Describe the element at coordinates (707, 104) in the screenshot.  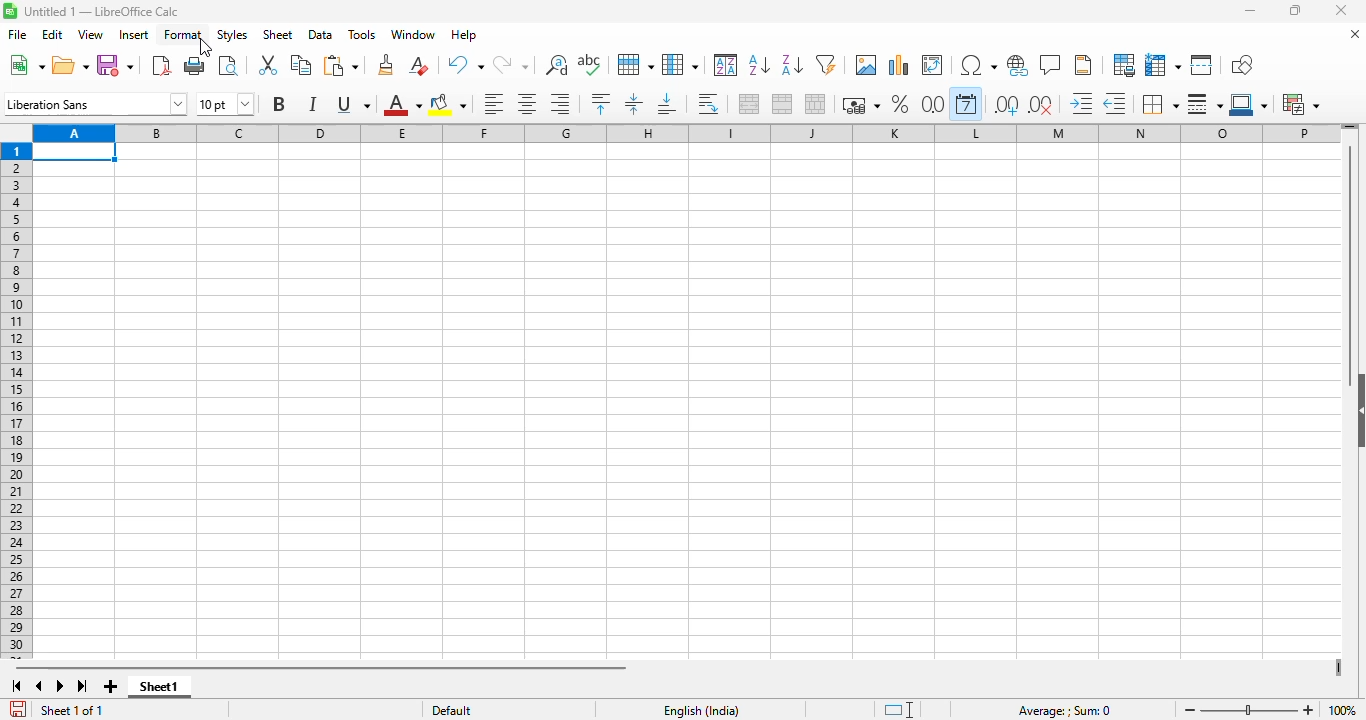
I see `wrap text` at that location.